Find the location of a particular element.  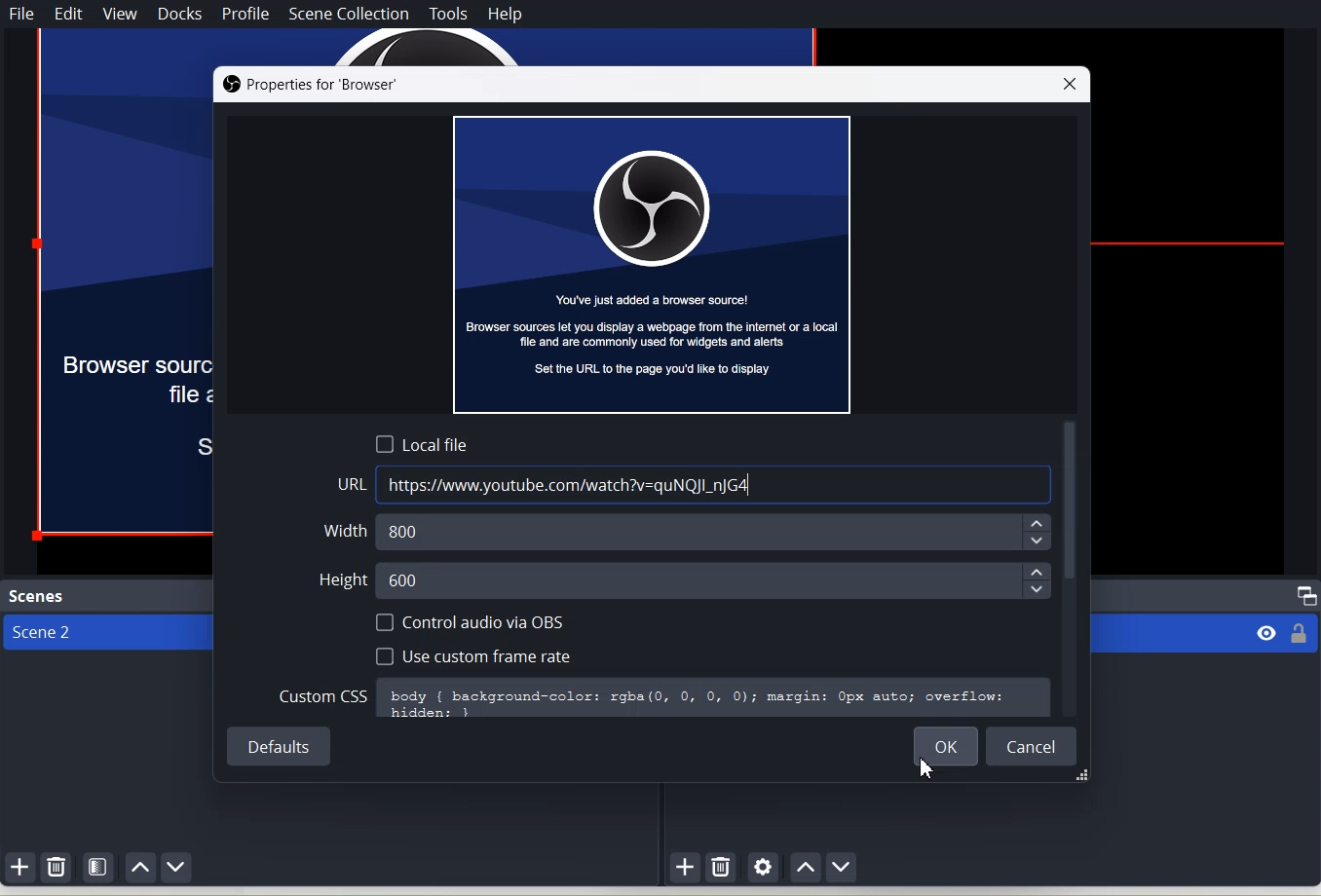

Cancel is located at coordinates (1034, 745).